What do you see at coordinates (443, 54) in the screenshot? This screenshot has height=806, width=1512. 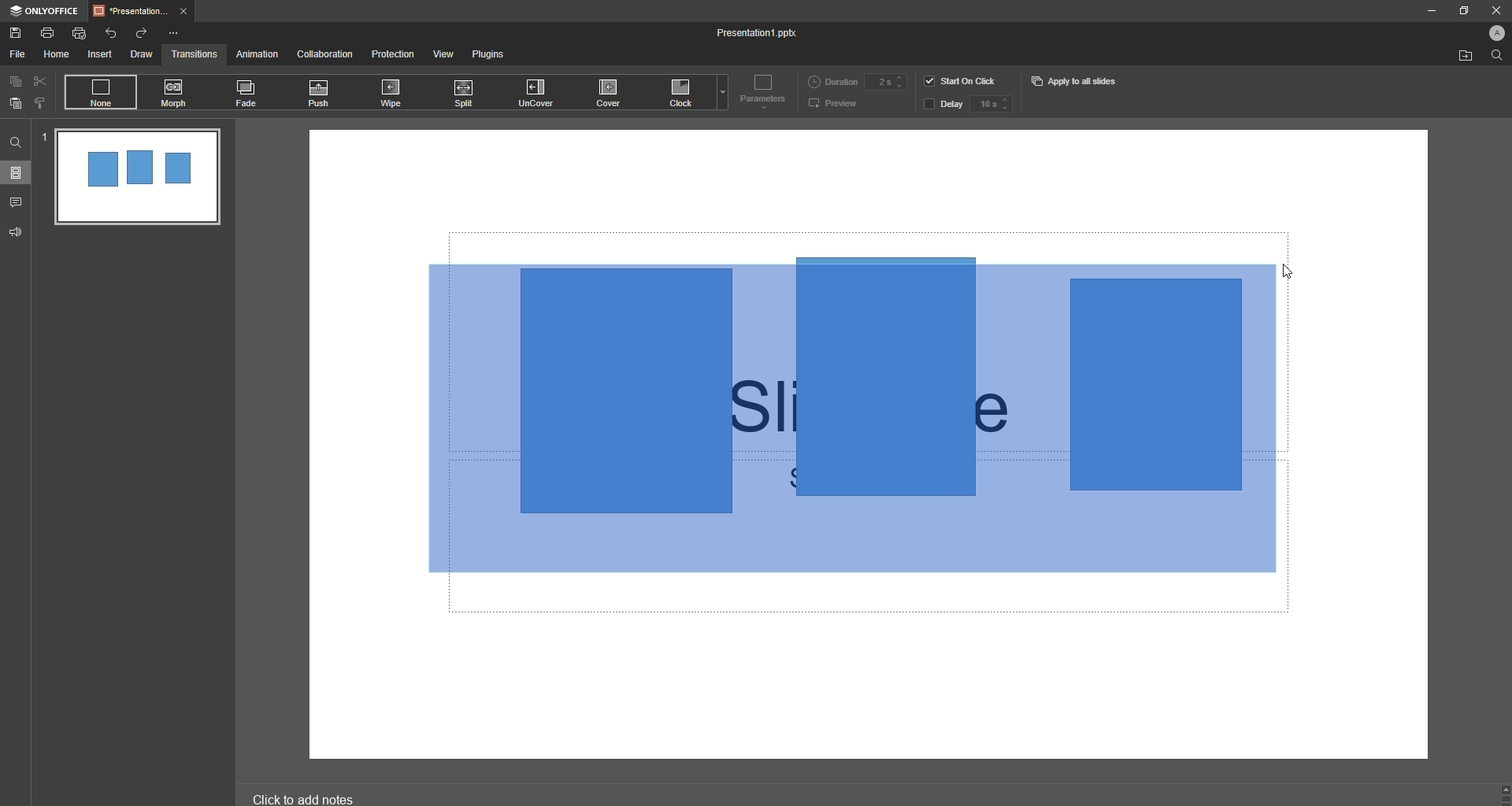 I see `View` at bounding box center [443, 54].